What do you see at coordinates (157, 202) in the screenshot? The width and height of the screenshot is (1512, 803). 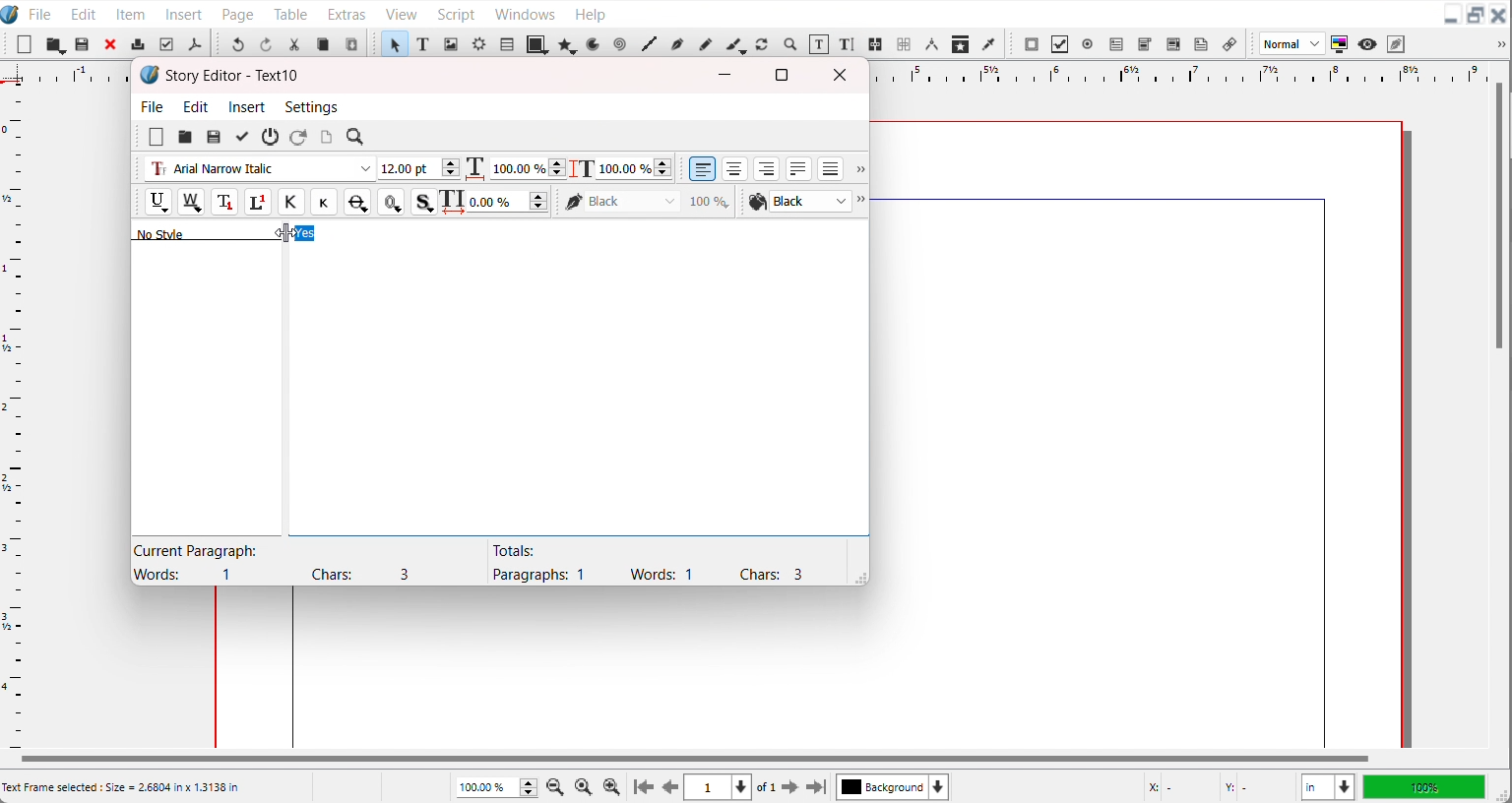 I see `Underline` at bounding box center [157, 202].